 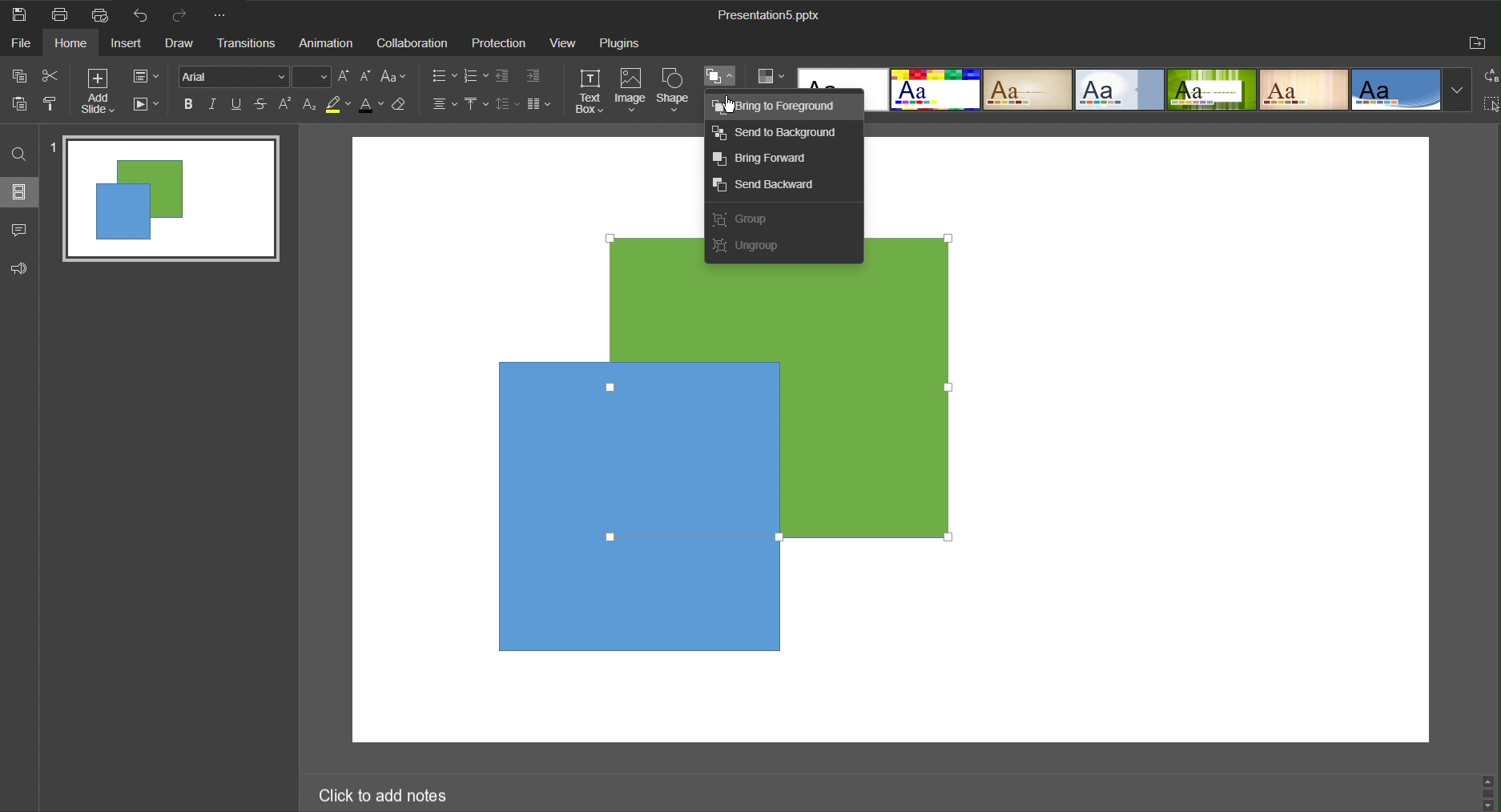 I want to click on Slides, so click(x=22, y=193).